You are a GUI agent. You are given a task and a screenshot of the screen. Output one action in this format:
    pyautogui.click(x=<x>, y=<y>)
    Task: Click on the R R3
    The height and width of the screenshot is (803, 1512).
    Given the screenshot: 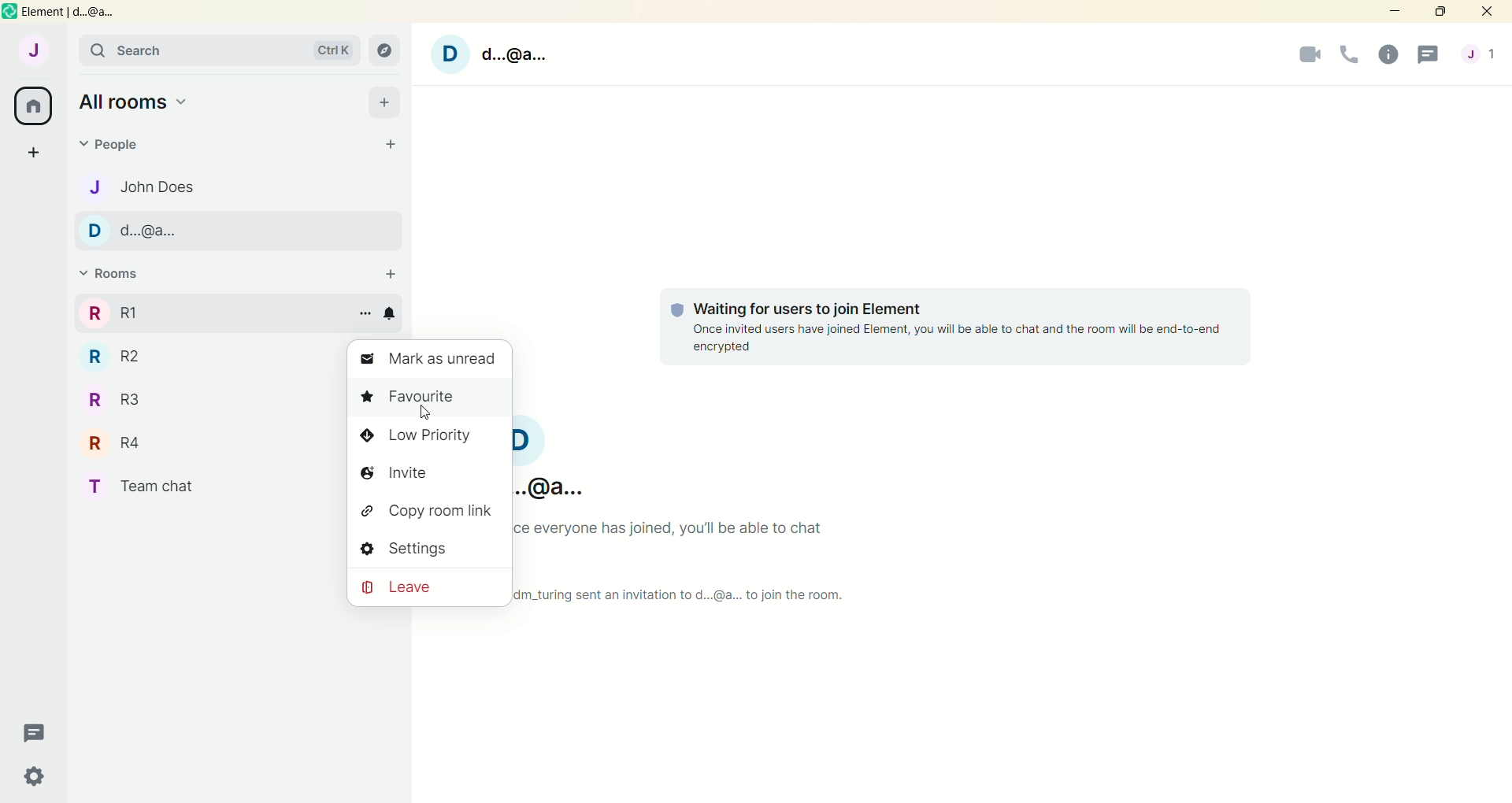 What is the action you would take?
    pyautogui.click(x=124, y=401)
    